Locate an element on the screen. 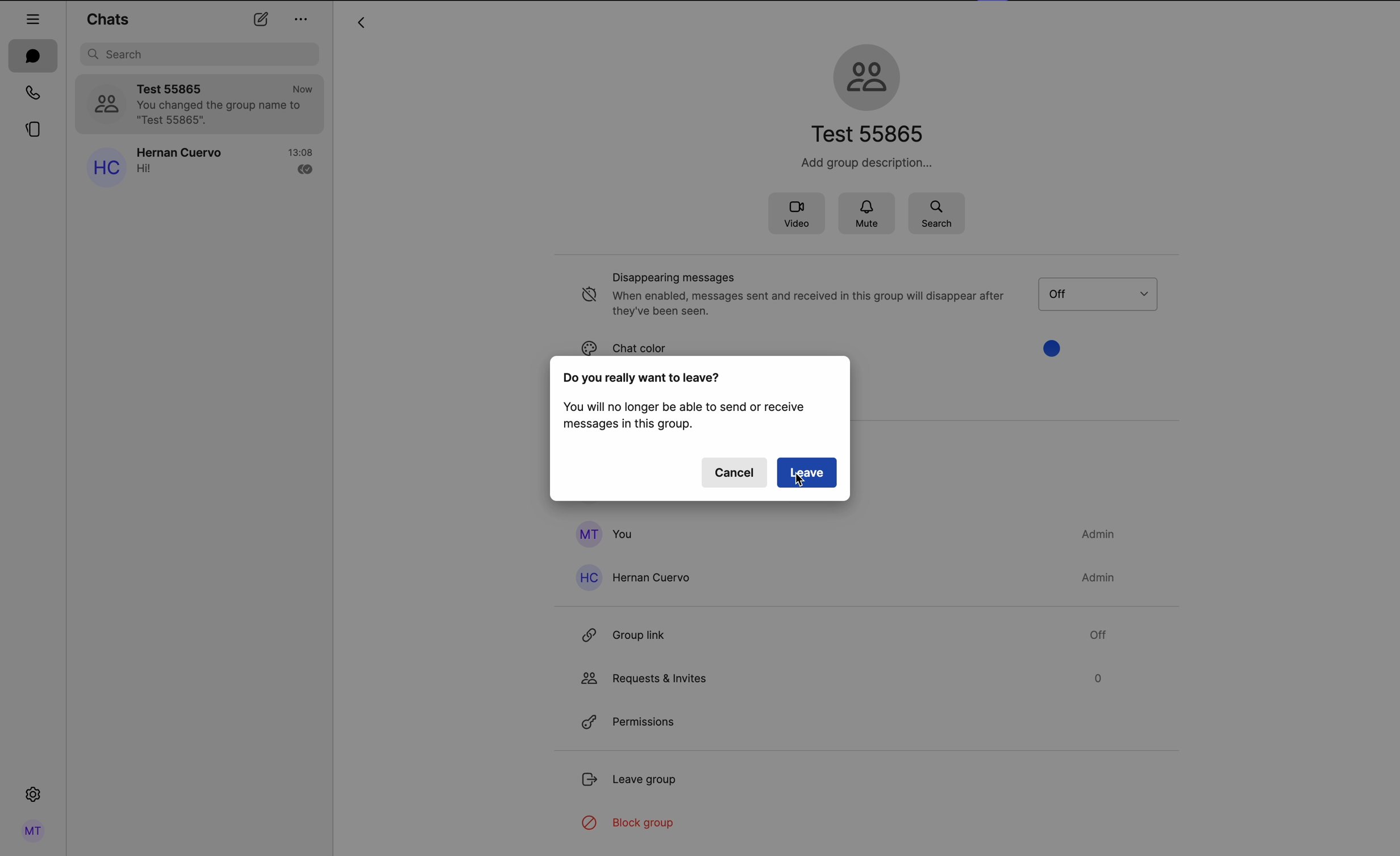  color is located at coordinates (1058, 347).